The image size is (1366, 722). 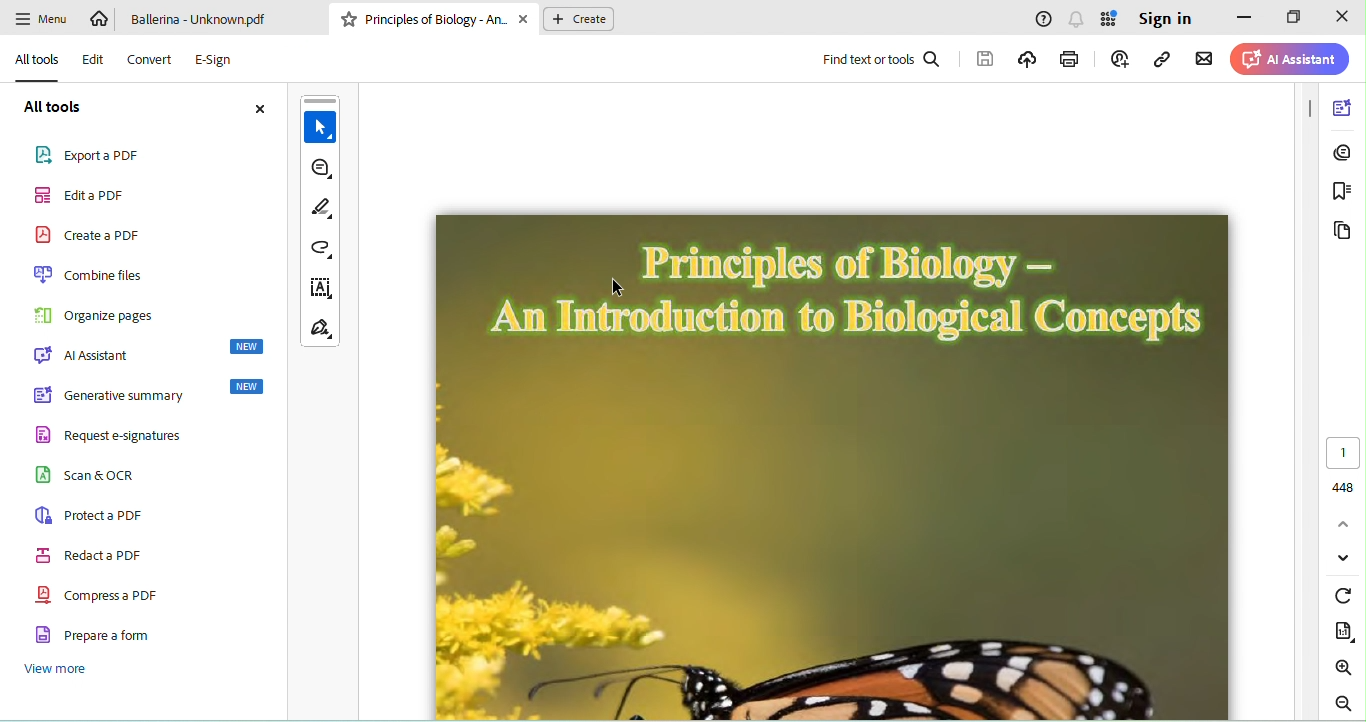 What do you see at coordinates (1341, 593) in the screenshot?
I see `rotate the document` at bounding box center [1341, 593].